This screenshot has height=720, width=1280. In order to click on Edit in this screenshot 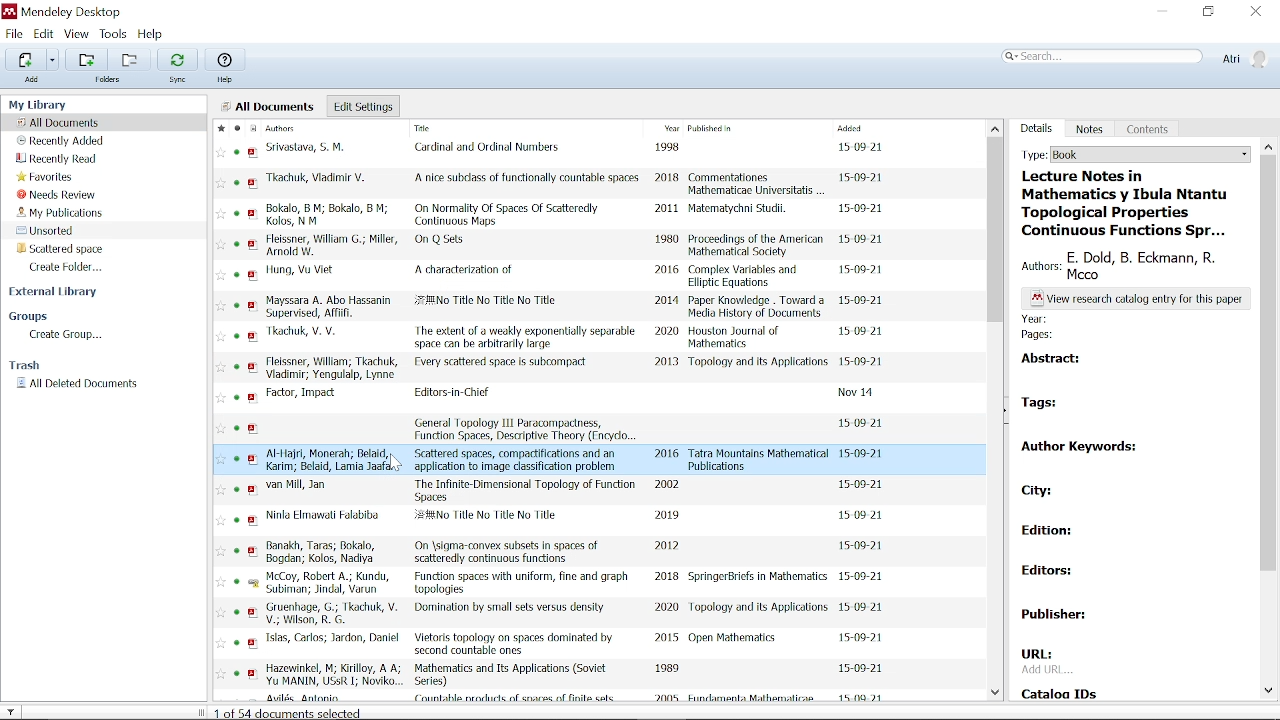, I will do `click(44, 34)`.